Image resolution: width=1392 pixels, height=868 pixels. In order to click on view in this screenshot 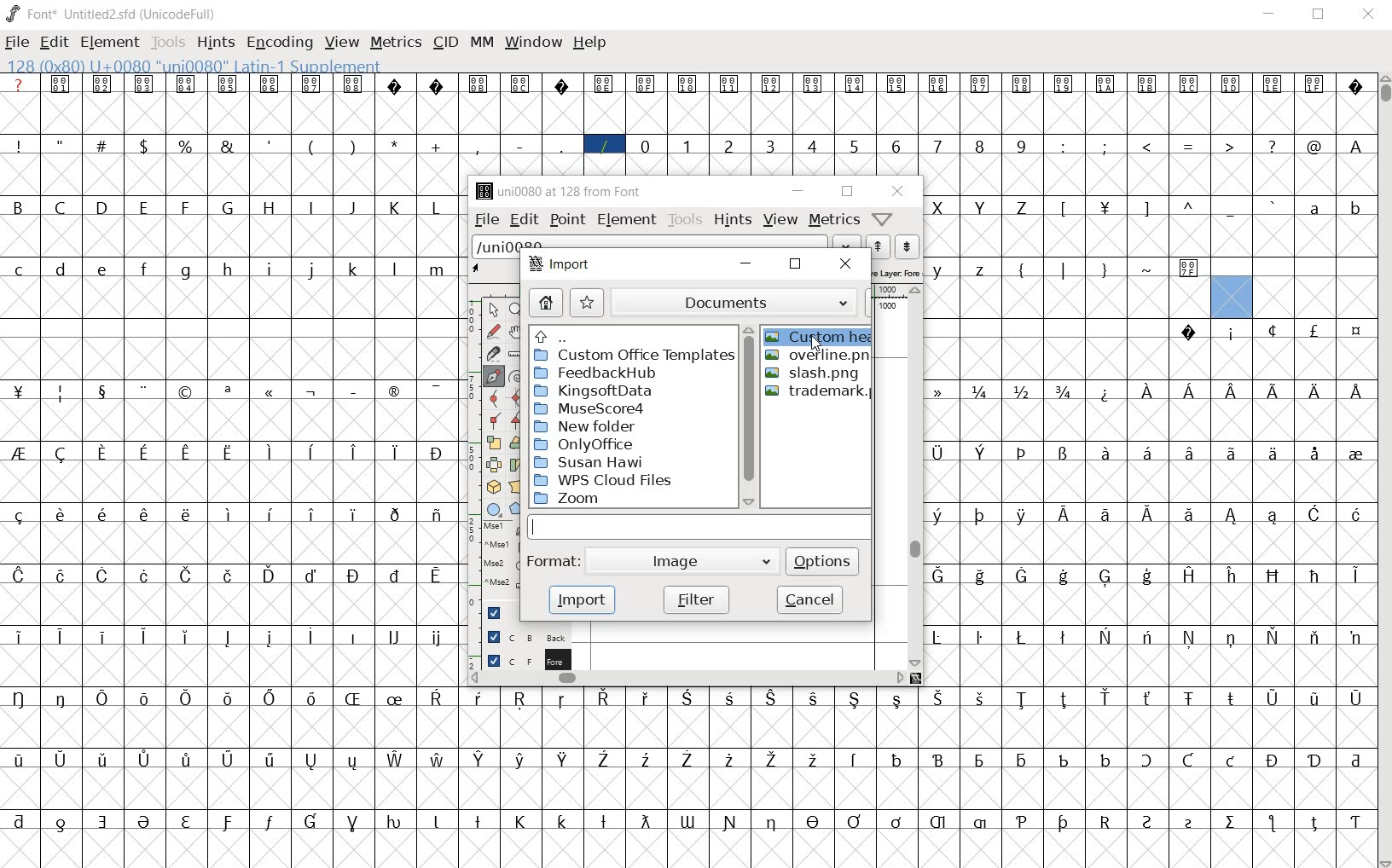, I will do `click(781, 219)`.